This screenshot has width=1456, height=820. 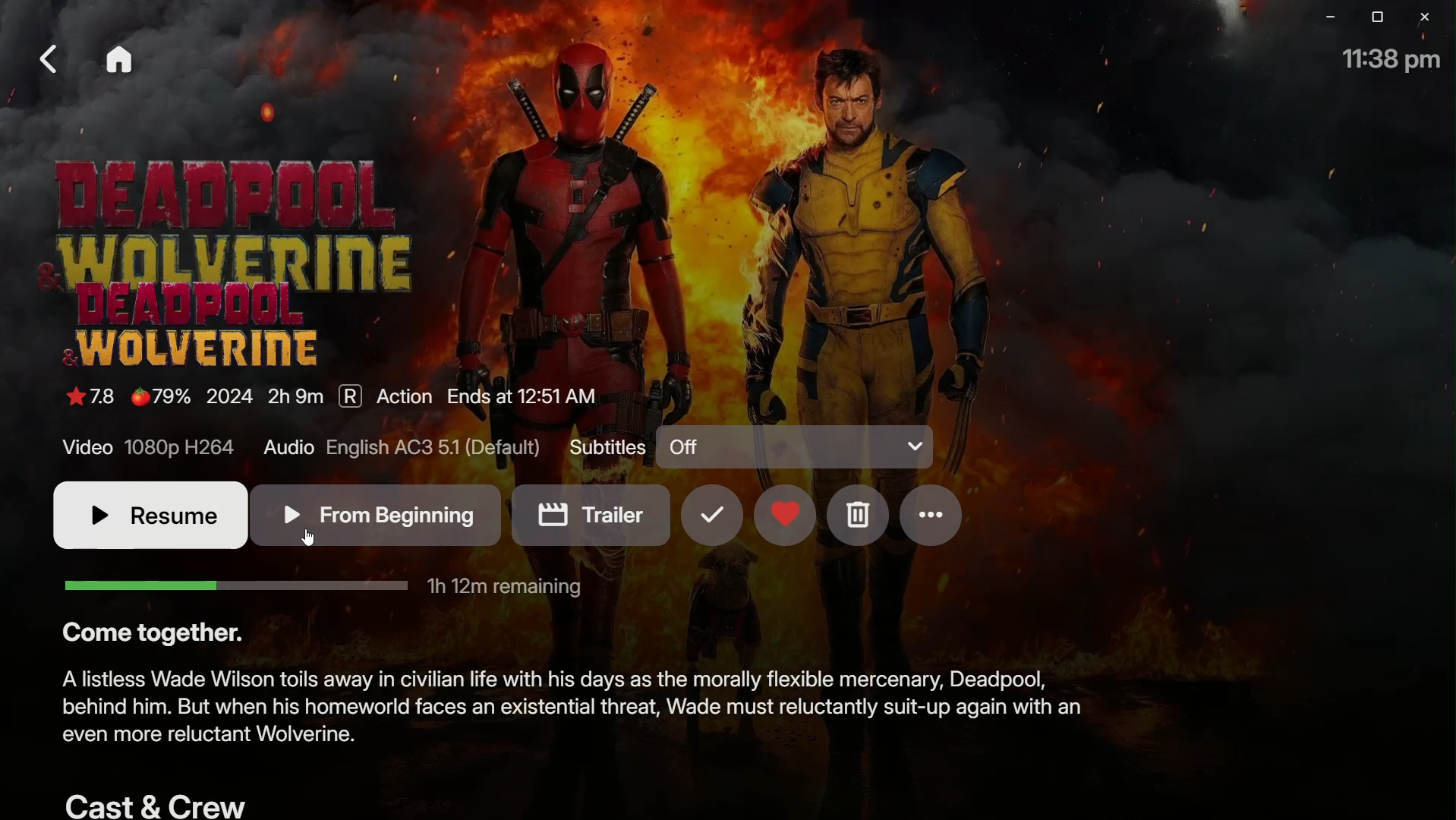 What do you see at coordinates (310, 540) in the screenshot?
I see `cursor` at bounding box center [310, 540].